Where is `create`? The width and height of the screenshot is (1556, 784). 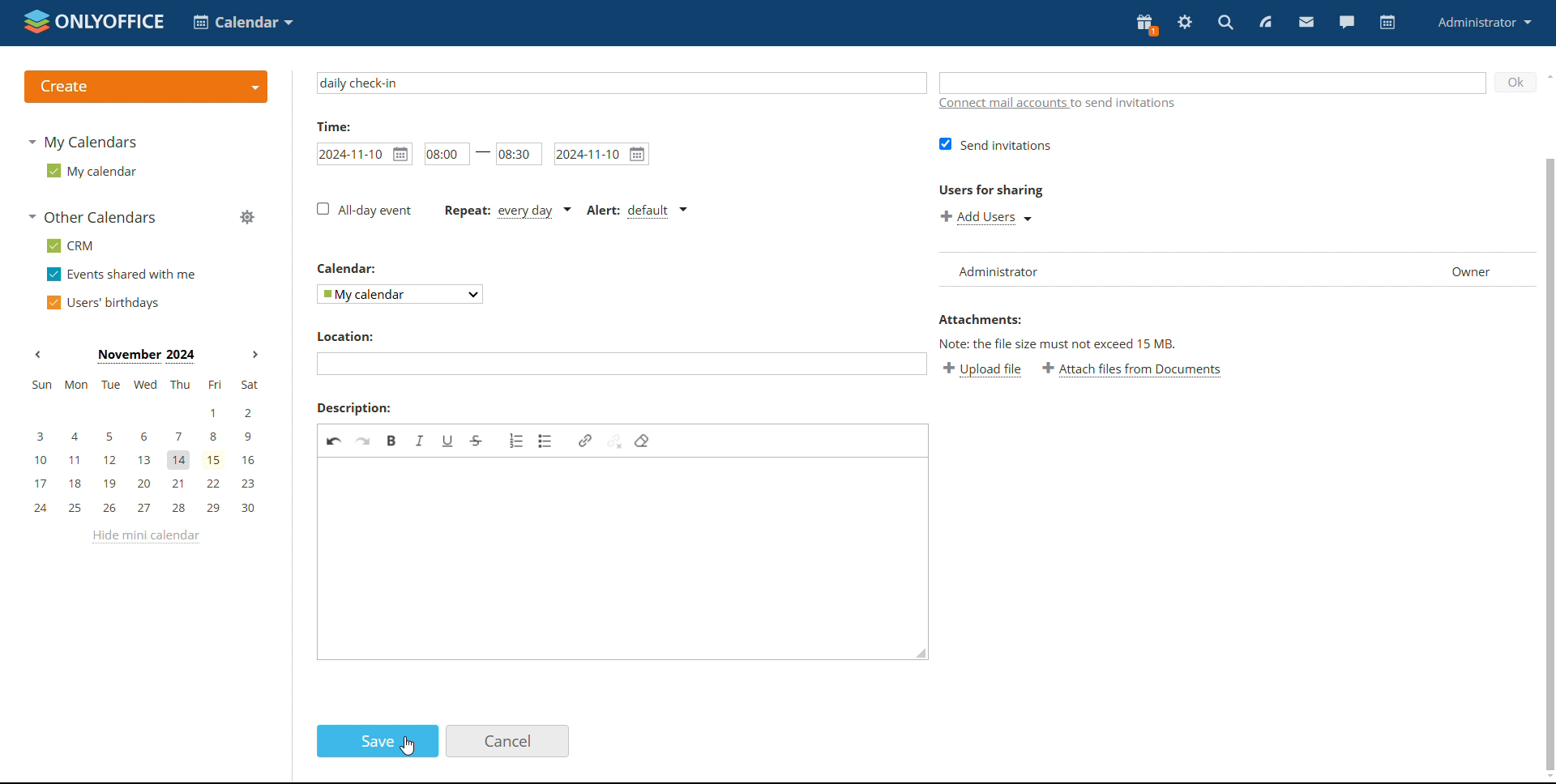
create is located at coordinates (145, 87).